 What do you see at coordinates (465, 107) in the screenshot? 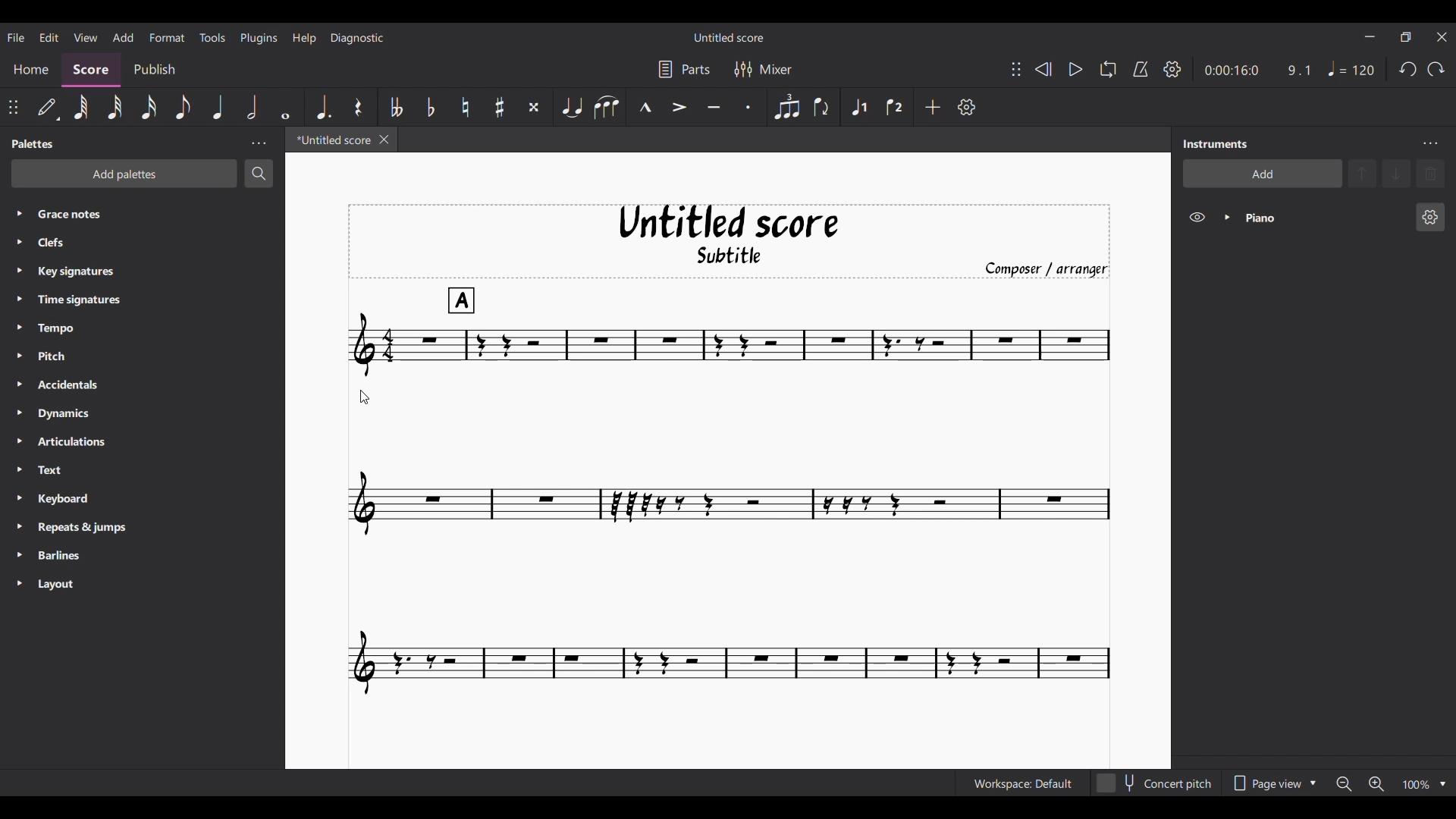
I see `Toggle natural` at bounding box center [465, 107].